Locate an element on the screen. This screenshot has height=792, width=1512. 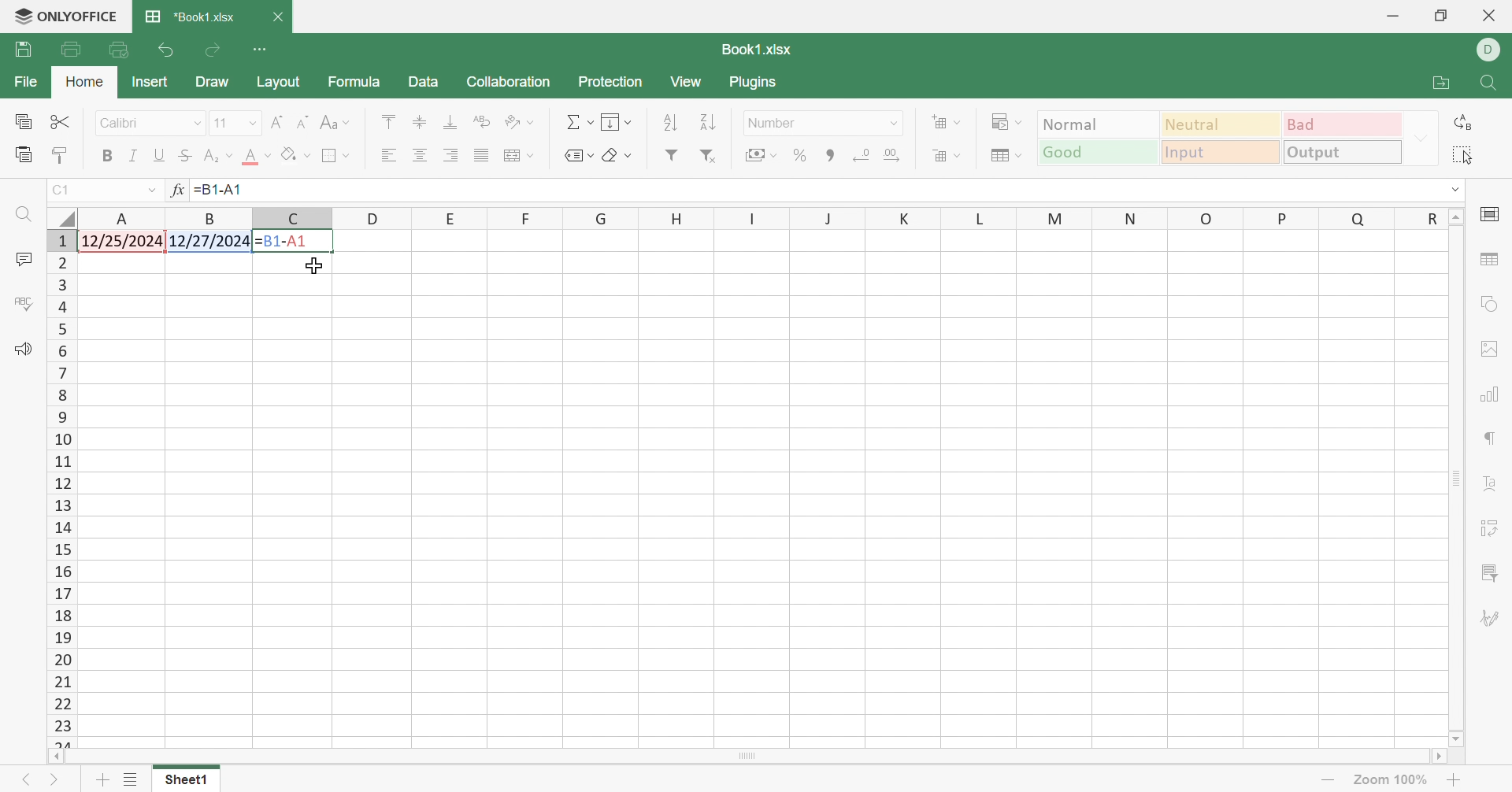
Drop Down is located at coordinates (1450, 191).